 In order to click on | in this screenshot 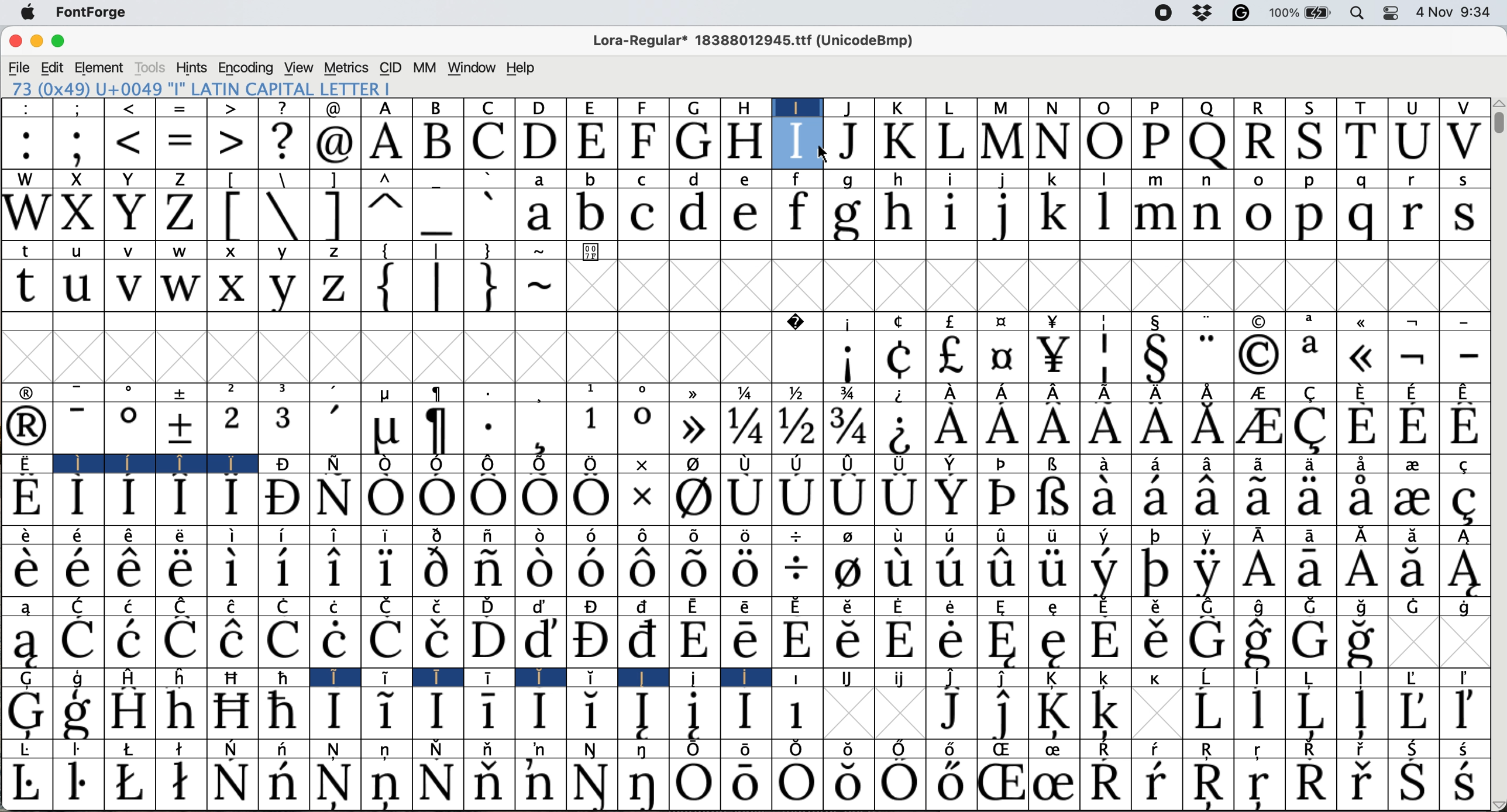, I will do `click(438, 250)`.